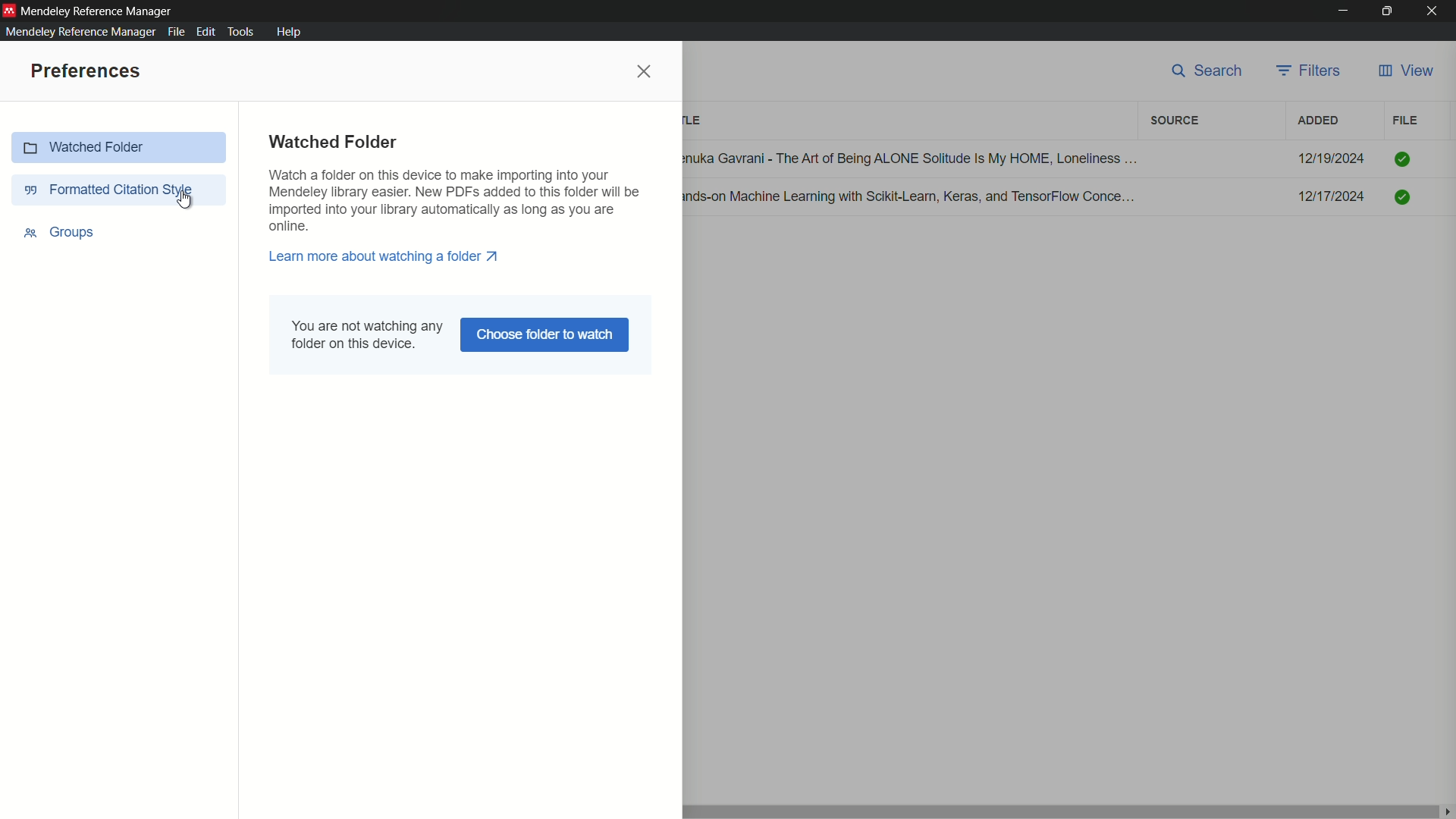 This screenshot has width=1456, height=819. I want to click on preferences, so click(87, 72).